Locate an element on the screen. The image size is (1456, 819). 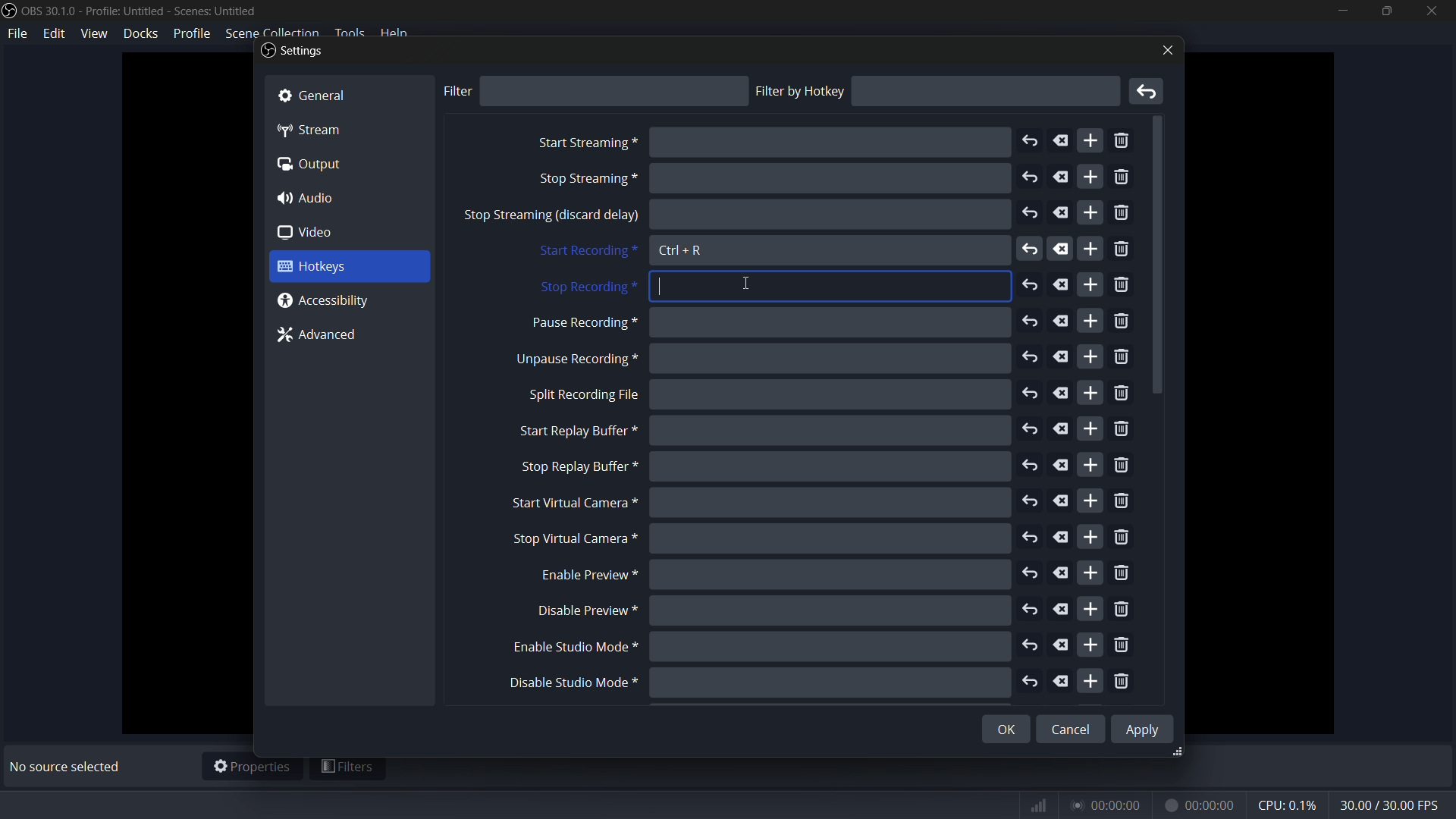
add more is located at coordinates (1090, 213).